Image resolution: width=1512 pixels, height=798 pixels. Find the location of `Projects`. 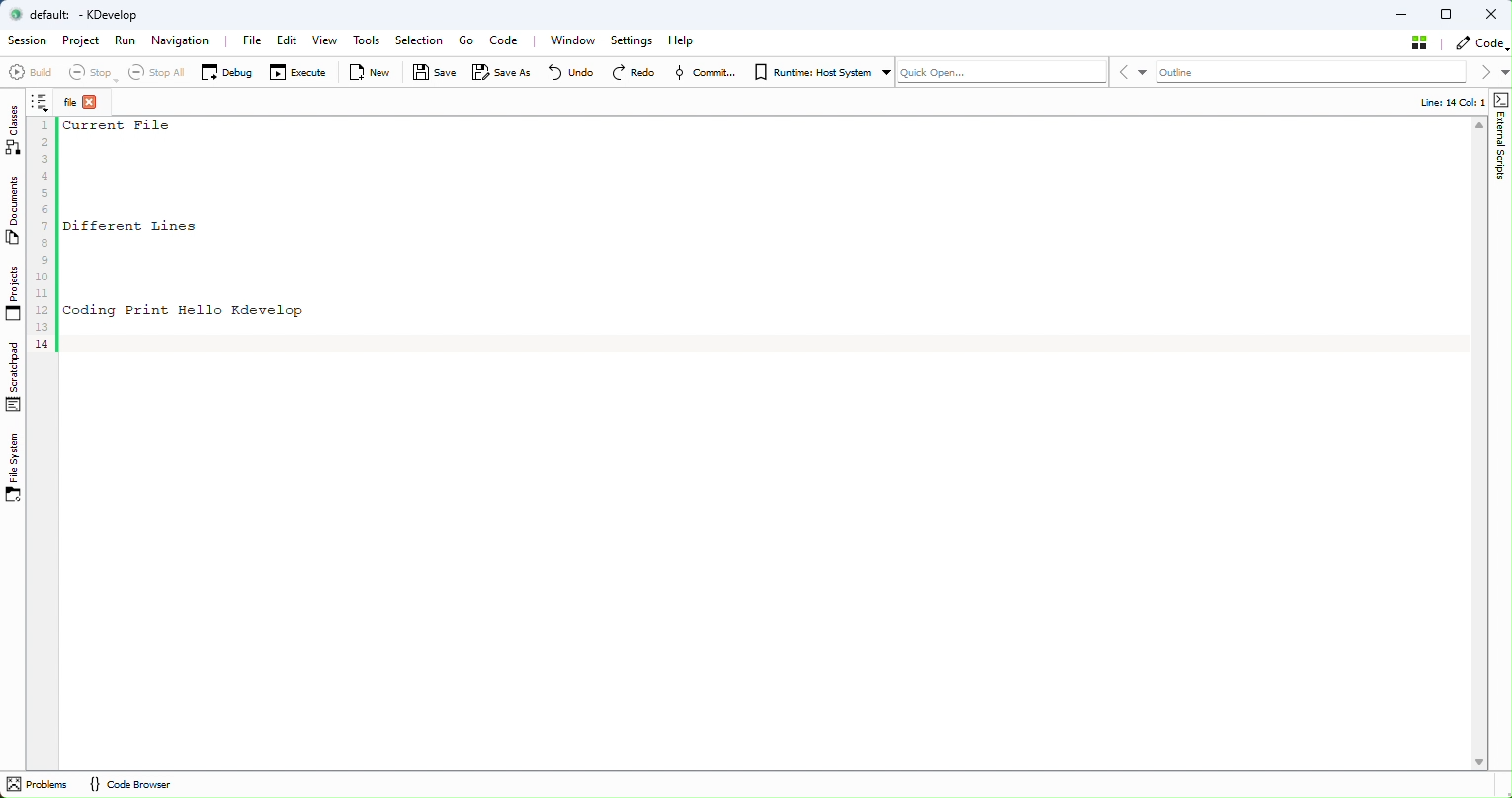

Projects is located at coordinates (14, 296).